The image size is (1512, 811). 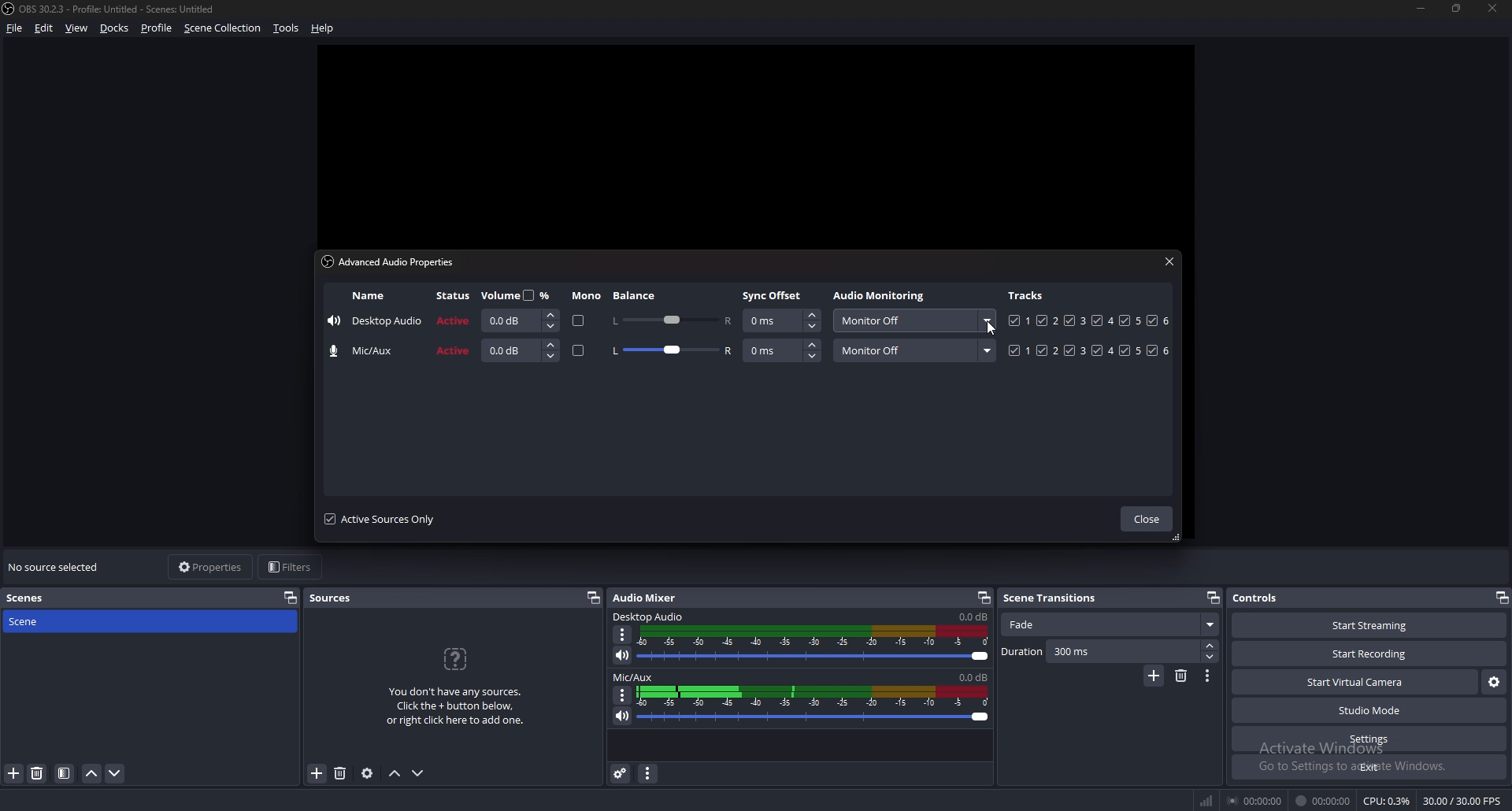 I want to click on advanced audio properties, so click(x=621, y=773).